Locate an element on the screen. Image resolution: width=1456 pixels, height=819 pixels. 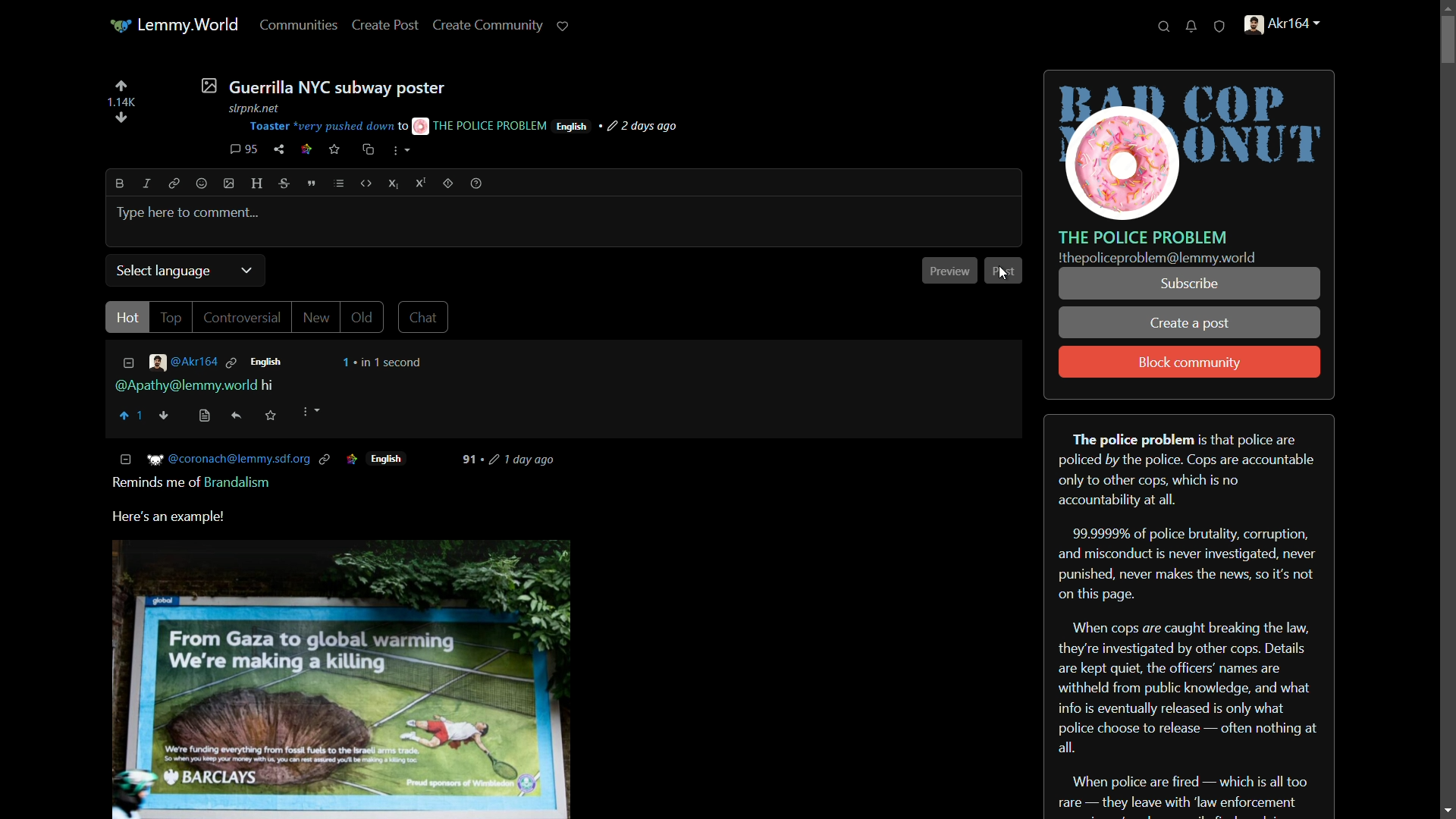
link is located at coordinates (171, 183).